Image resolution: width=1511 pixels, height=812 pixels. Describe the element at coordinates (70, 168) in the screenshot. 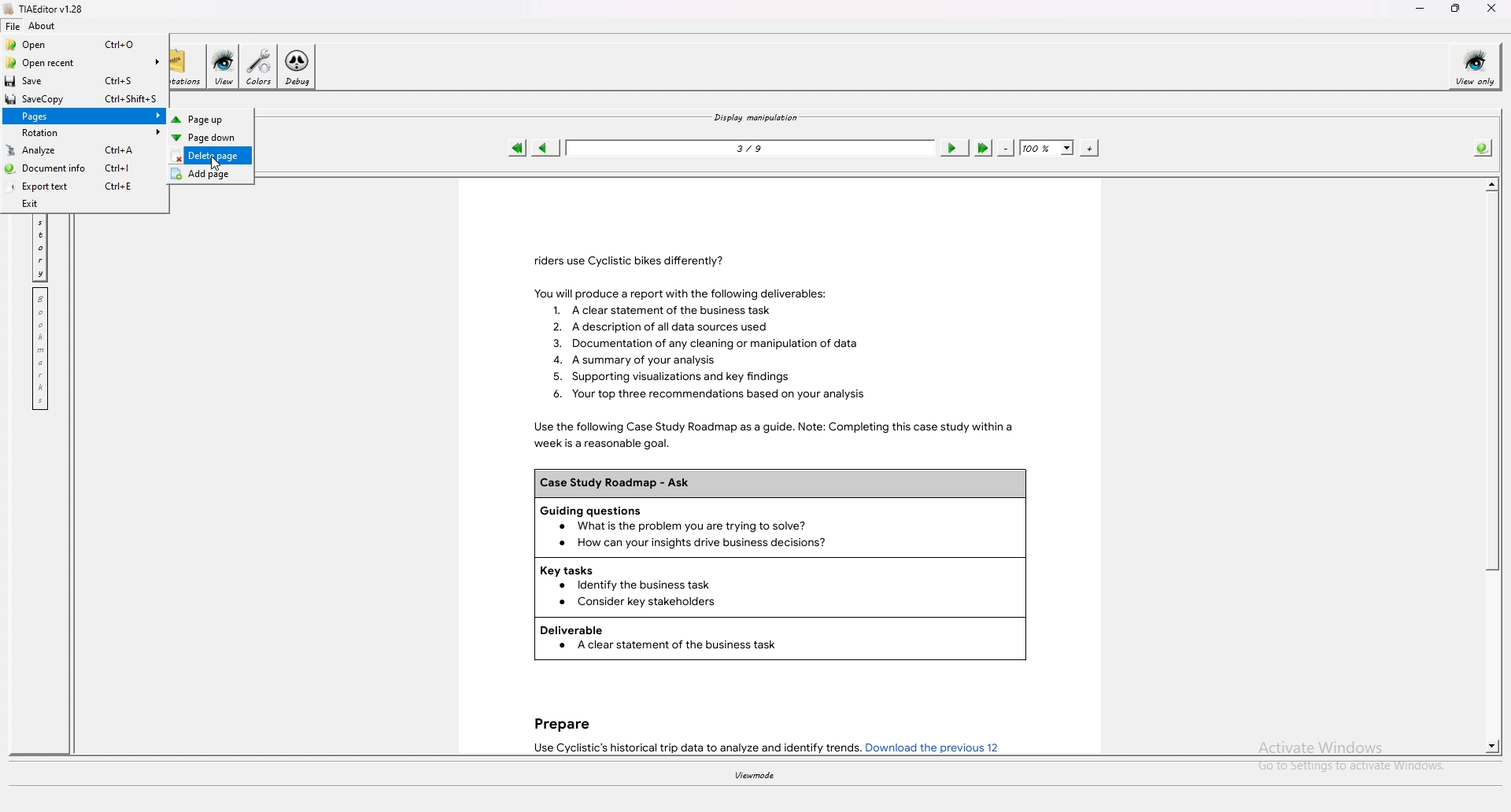

I see `Document info  Ctrl+|` at that location.